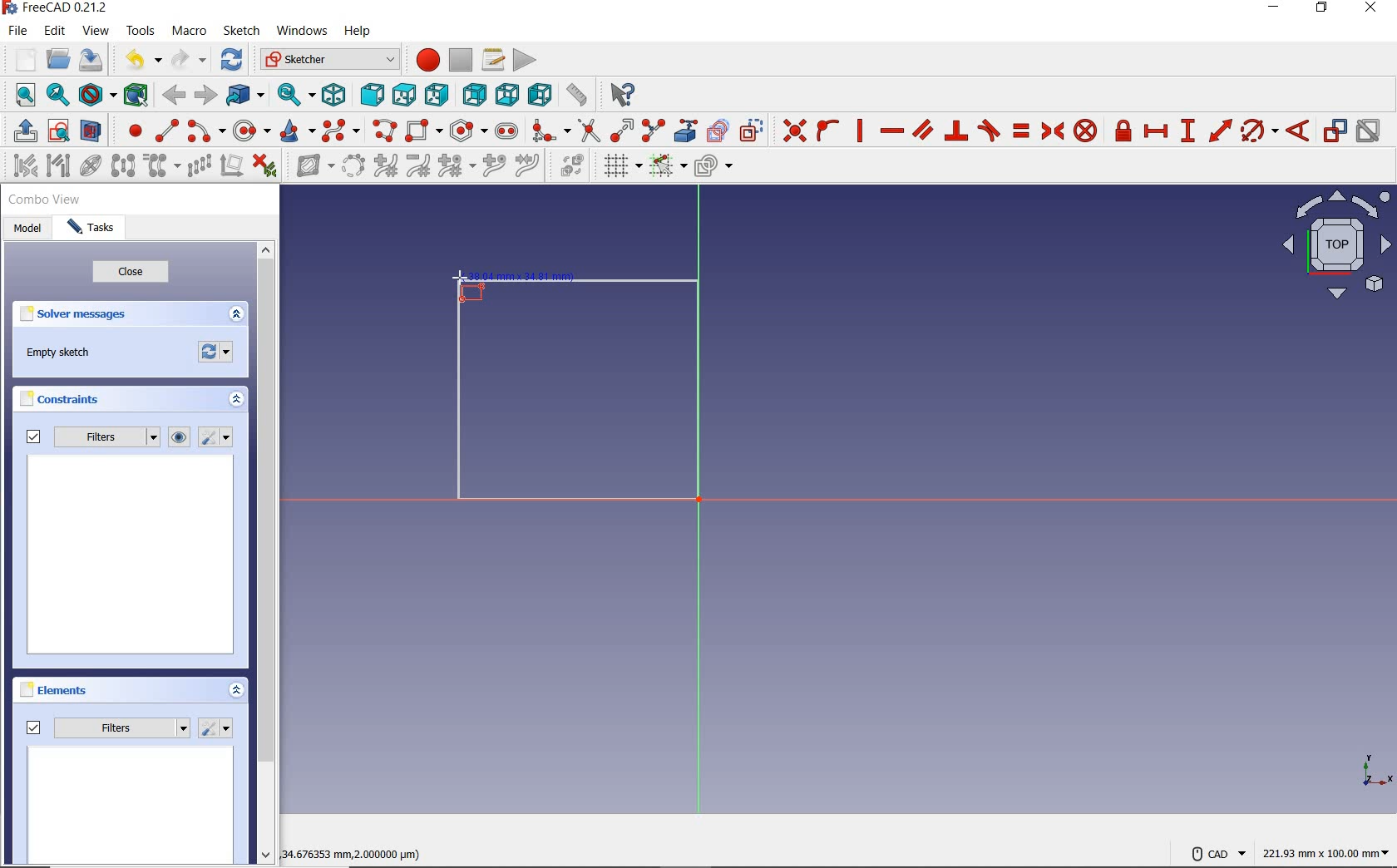 The image size is (1397, 868). What do you see at coordinates (507, 130) in the screenshot?
I see `create slot` at bounding box center [507, 130].